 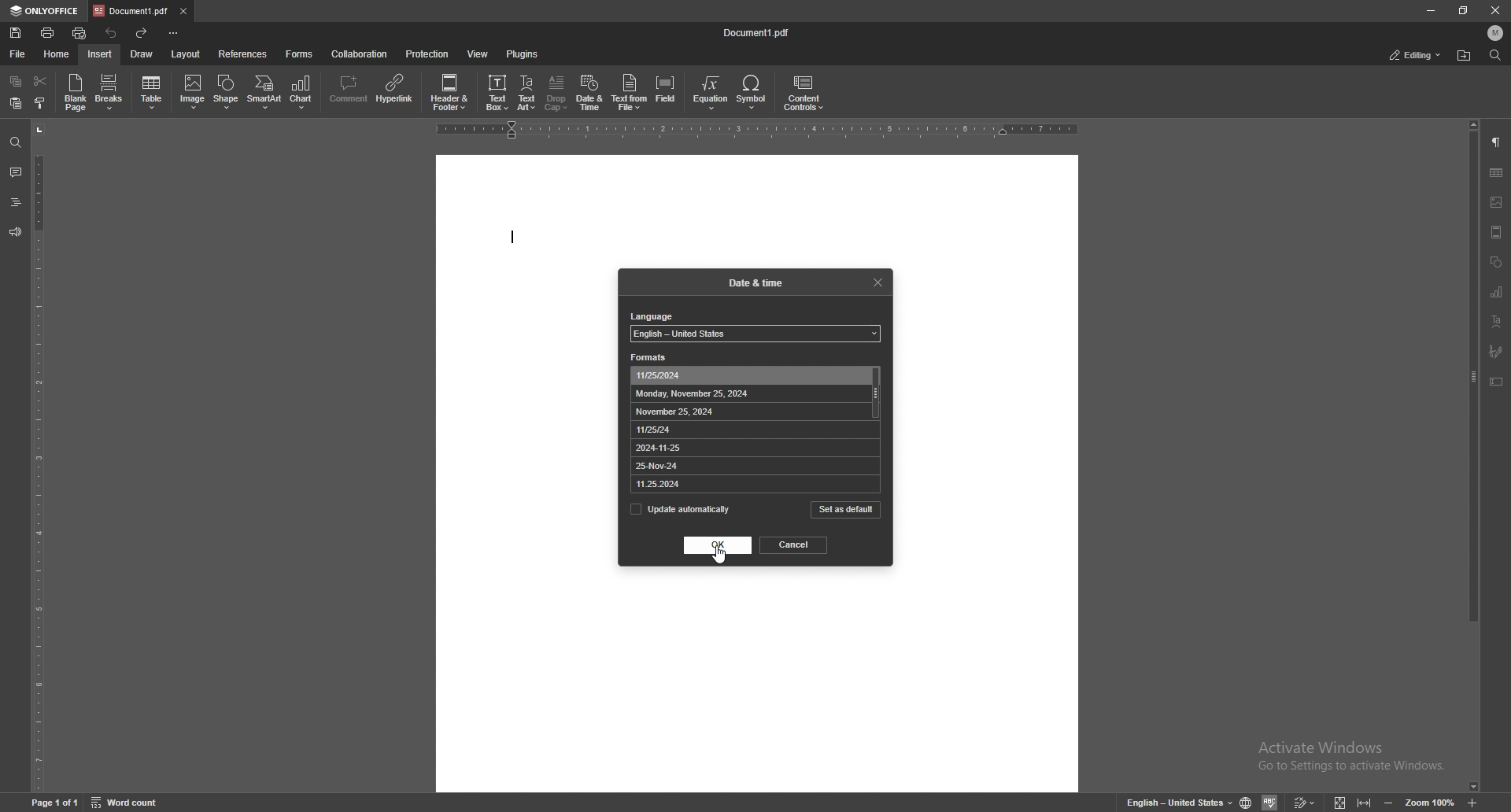 What do you see at coordinates (678, 448) in the screenshot?
I see `date format` at bounding box center [678, 448].